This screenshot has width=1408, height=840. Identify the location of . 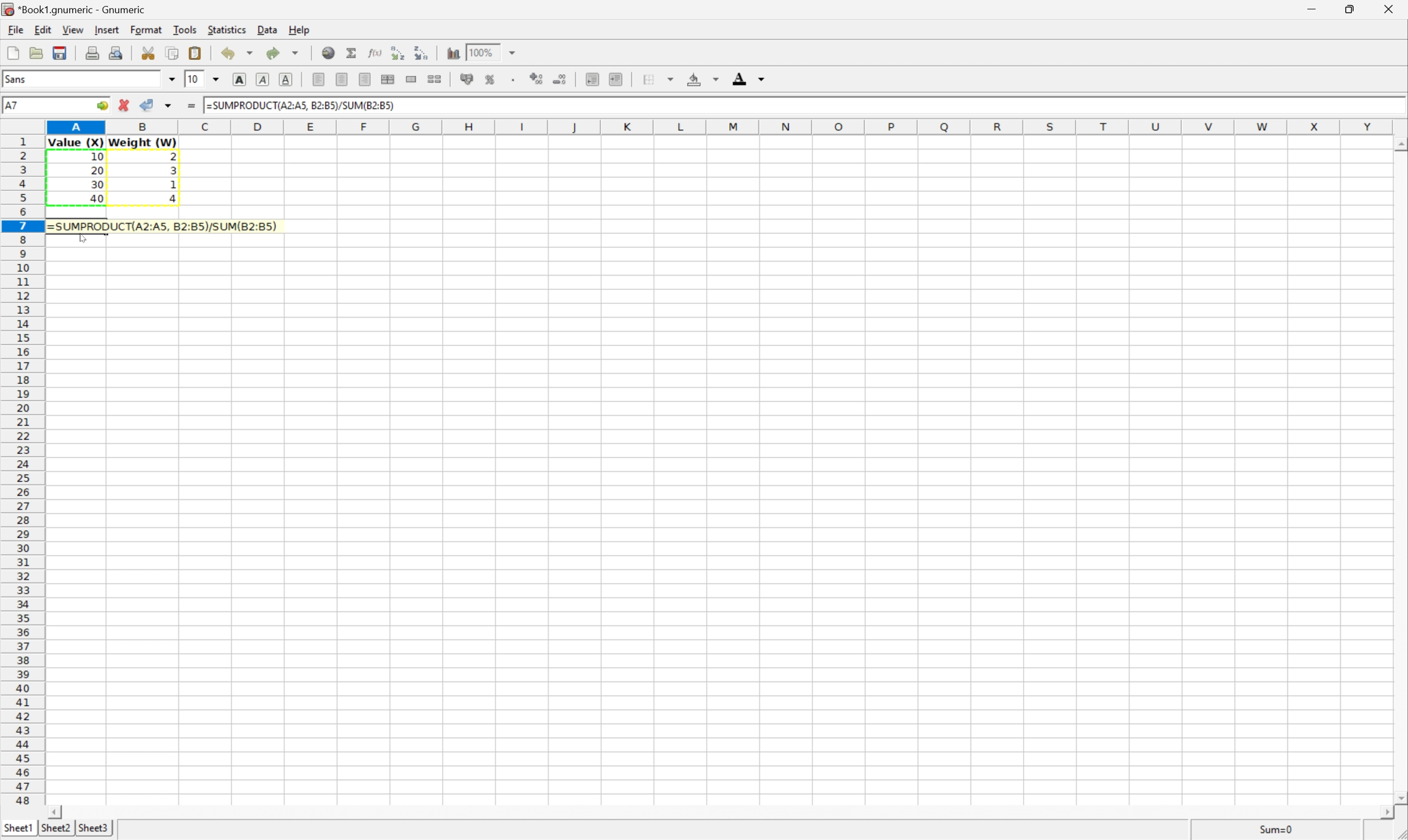
(96, 158).